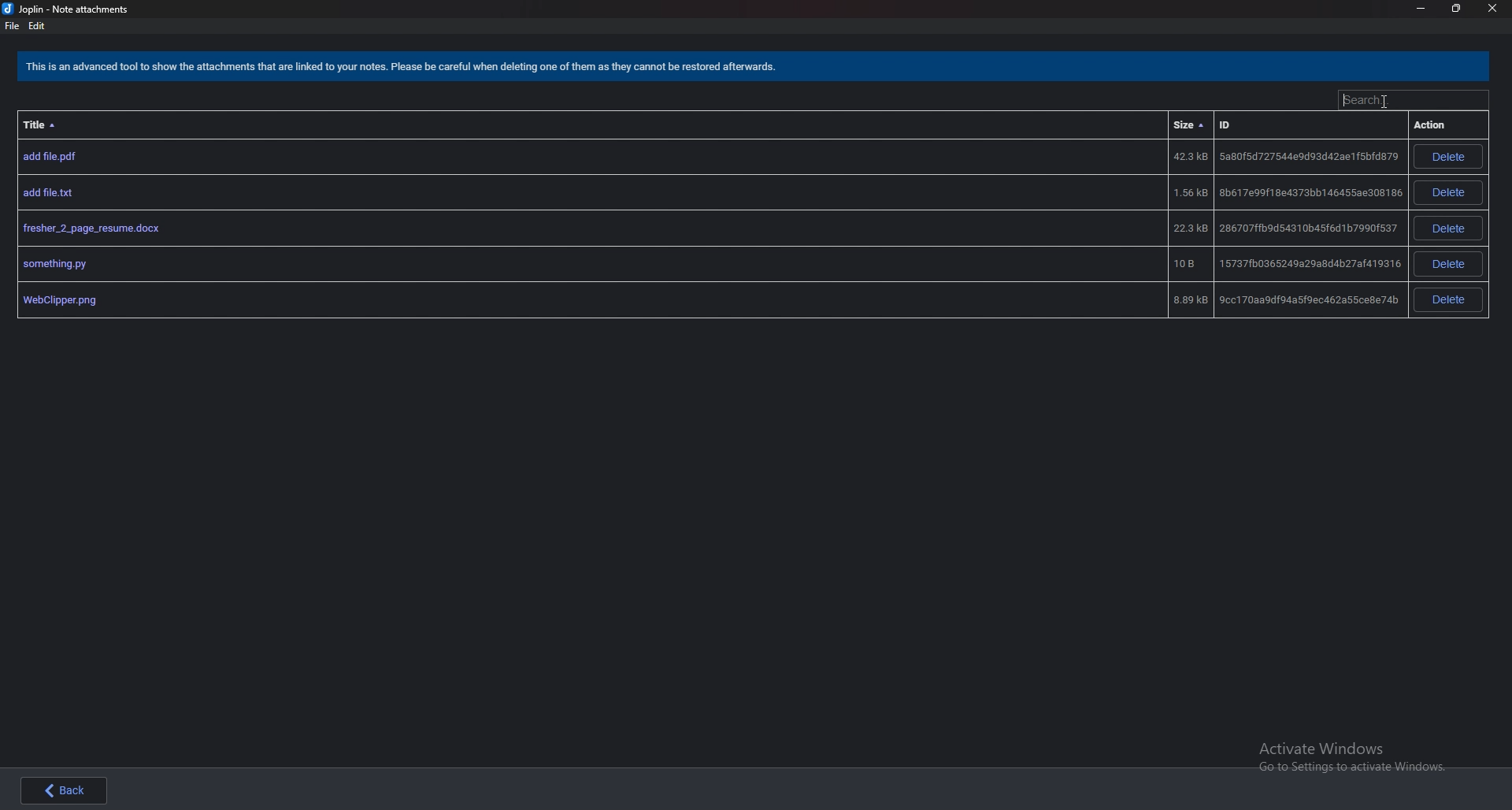 This screenshot has width=1512, height=810. Describe the element at coordinates (706, 300) in the screenshot. I see `attachment` at that location.